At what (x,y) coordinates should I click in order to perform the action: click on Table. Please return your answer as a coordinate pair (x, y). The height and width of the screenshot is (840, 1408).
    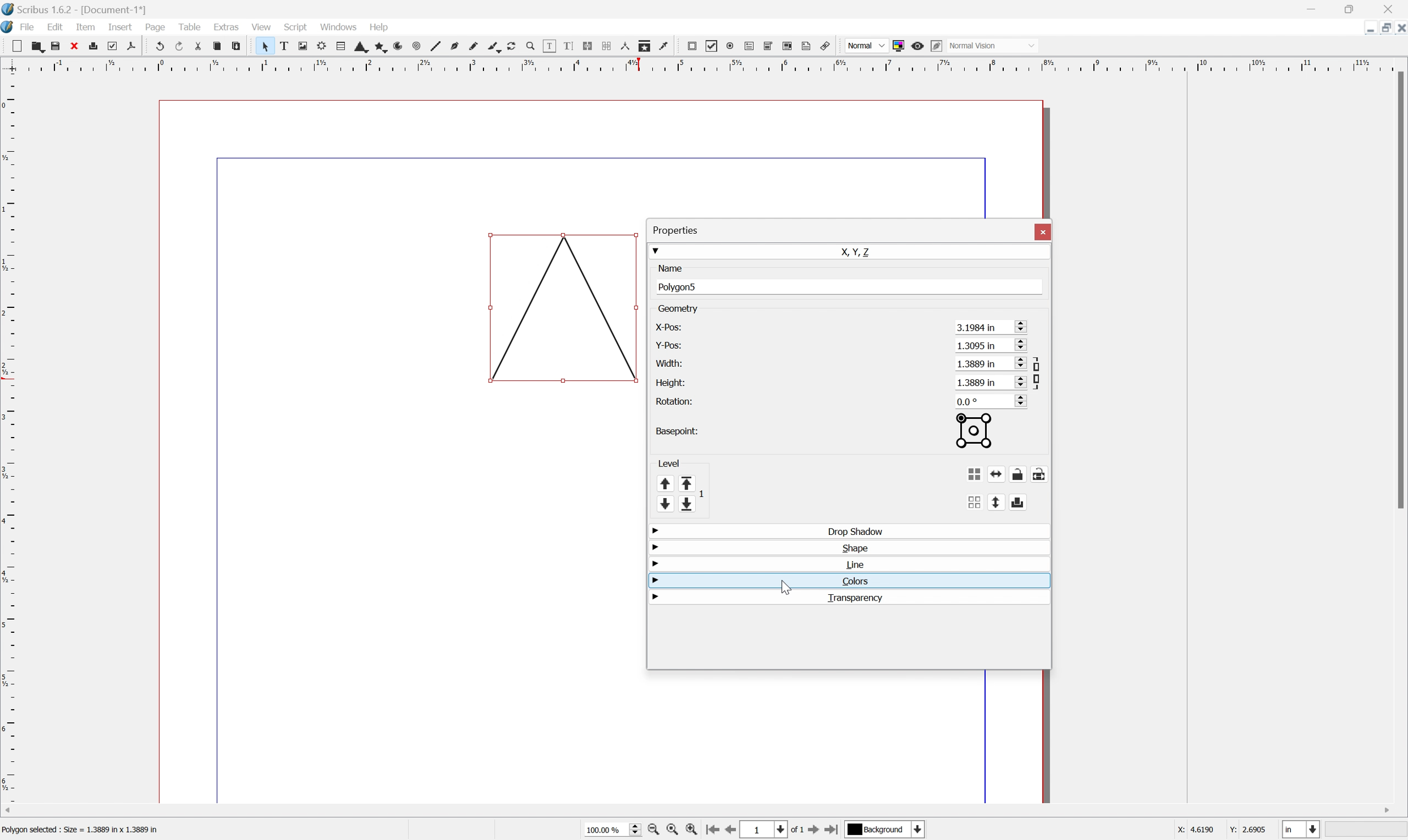
    Looking at the image, I should click on (335, 47).